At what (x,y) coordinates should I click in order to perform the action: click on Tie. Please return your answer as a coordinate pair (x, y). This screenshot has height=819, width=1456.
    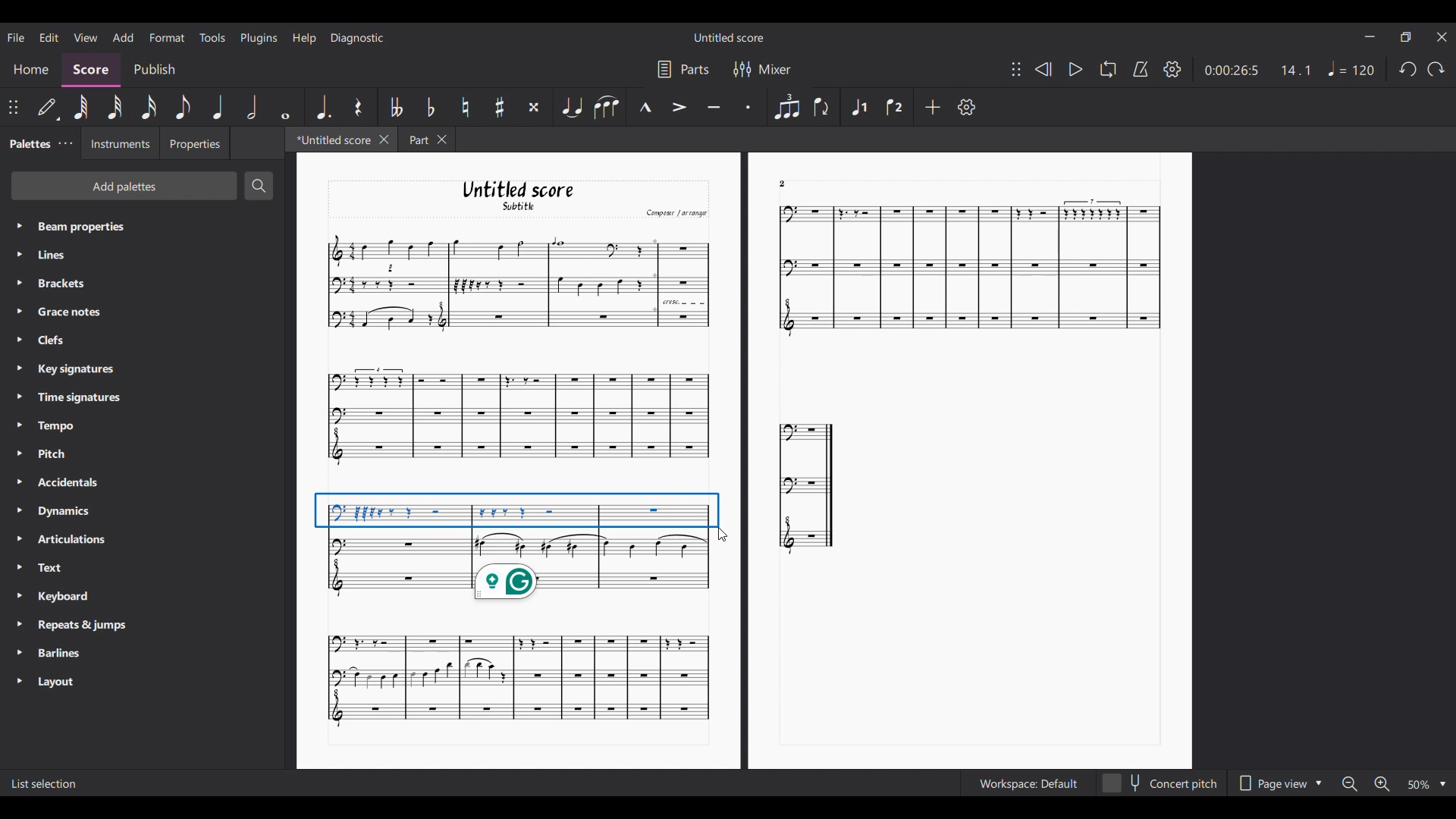
    Looking at the image, I should click on (572, 106).